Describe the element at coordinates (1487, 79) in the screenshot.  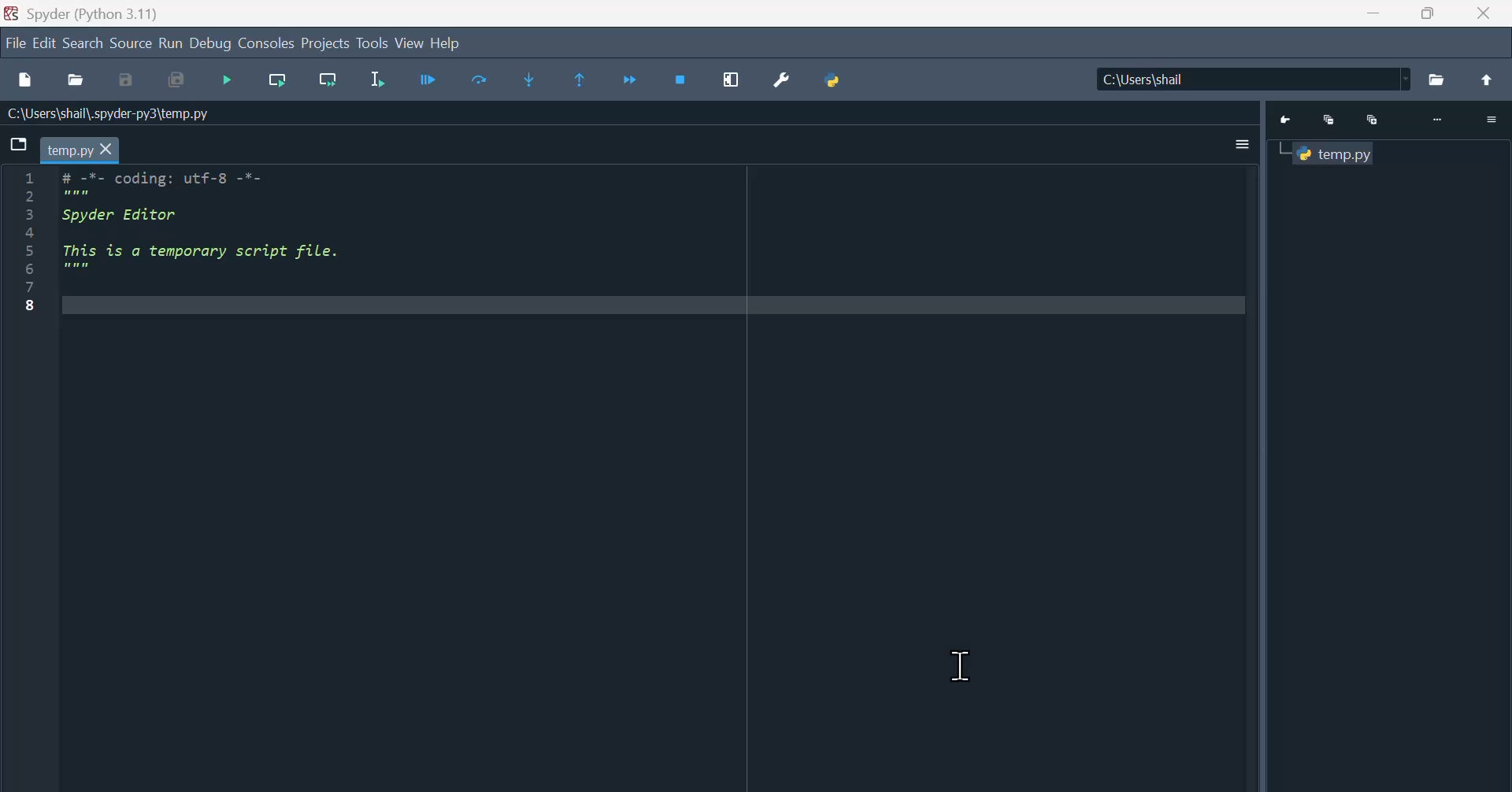
I see `Up to` at that location.